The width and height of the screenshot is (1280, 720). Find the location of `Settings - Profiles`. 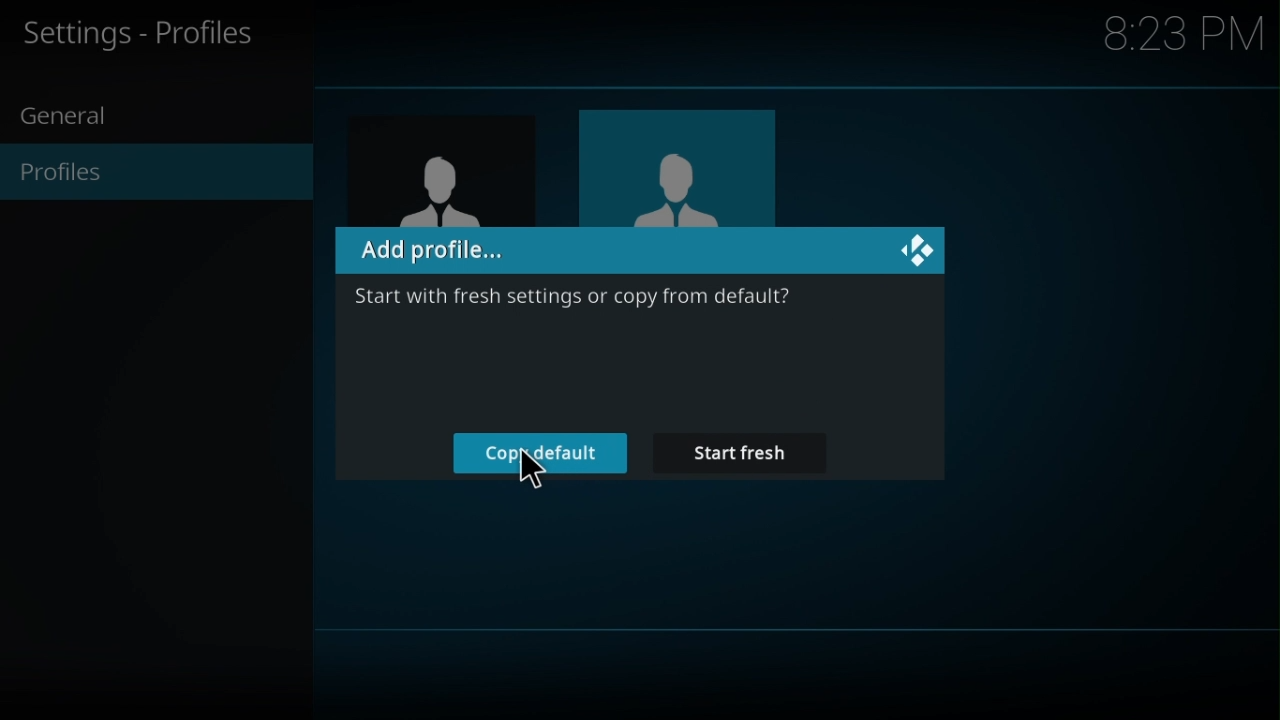

Settings - Profiles is located at coordinates (136, 36).